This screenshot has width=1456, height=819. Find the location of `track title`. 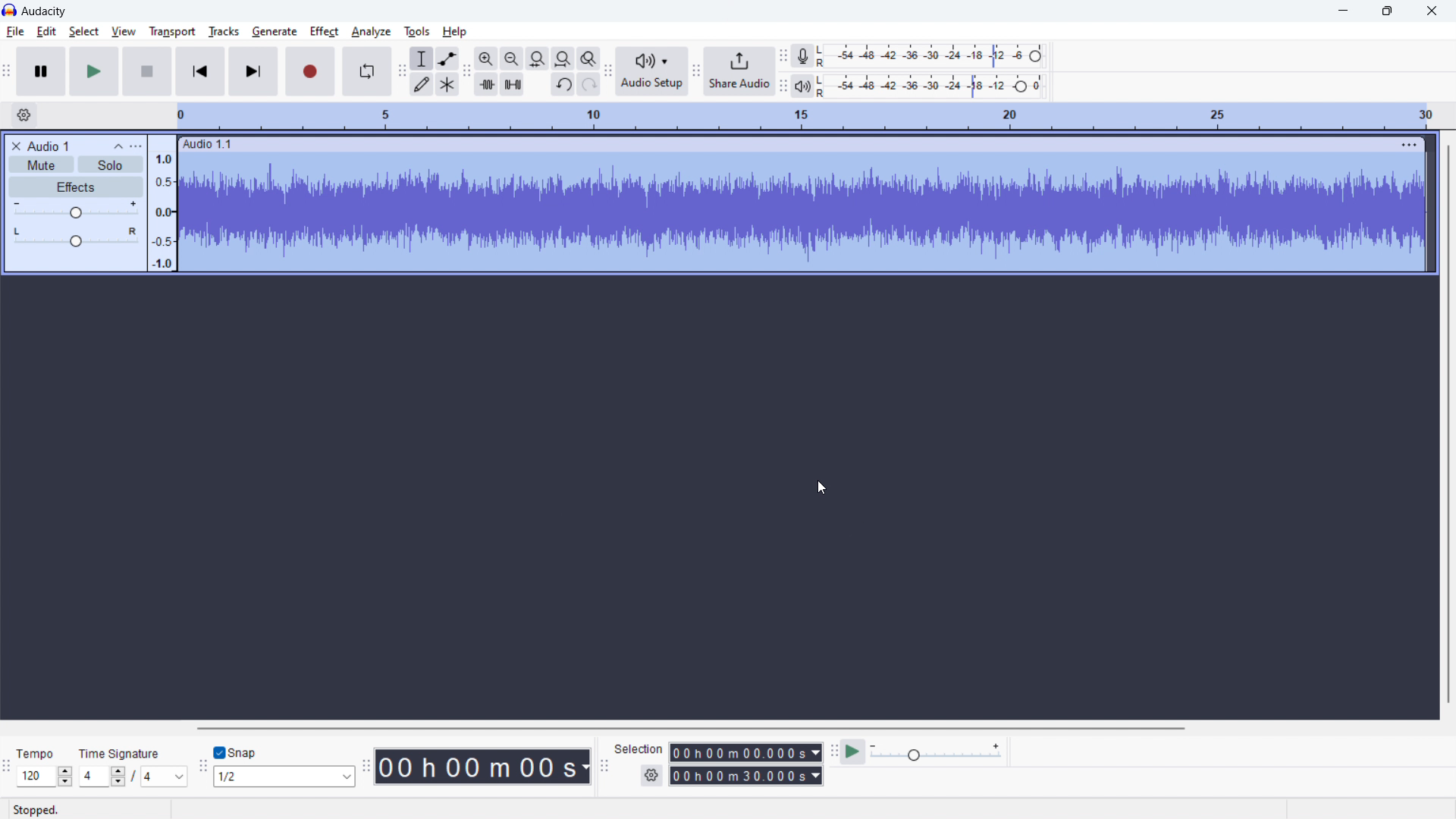

track title is located at coordinates (49, 146).